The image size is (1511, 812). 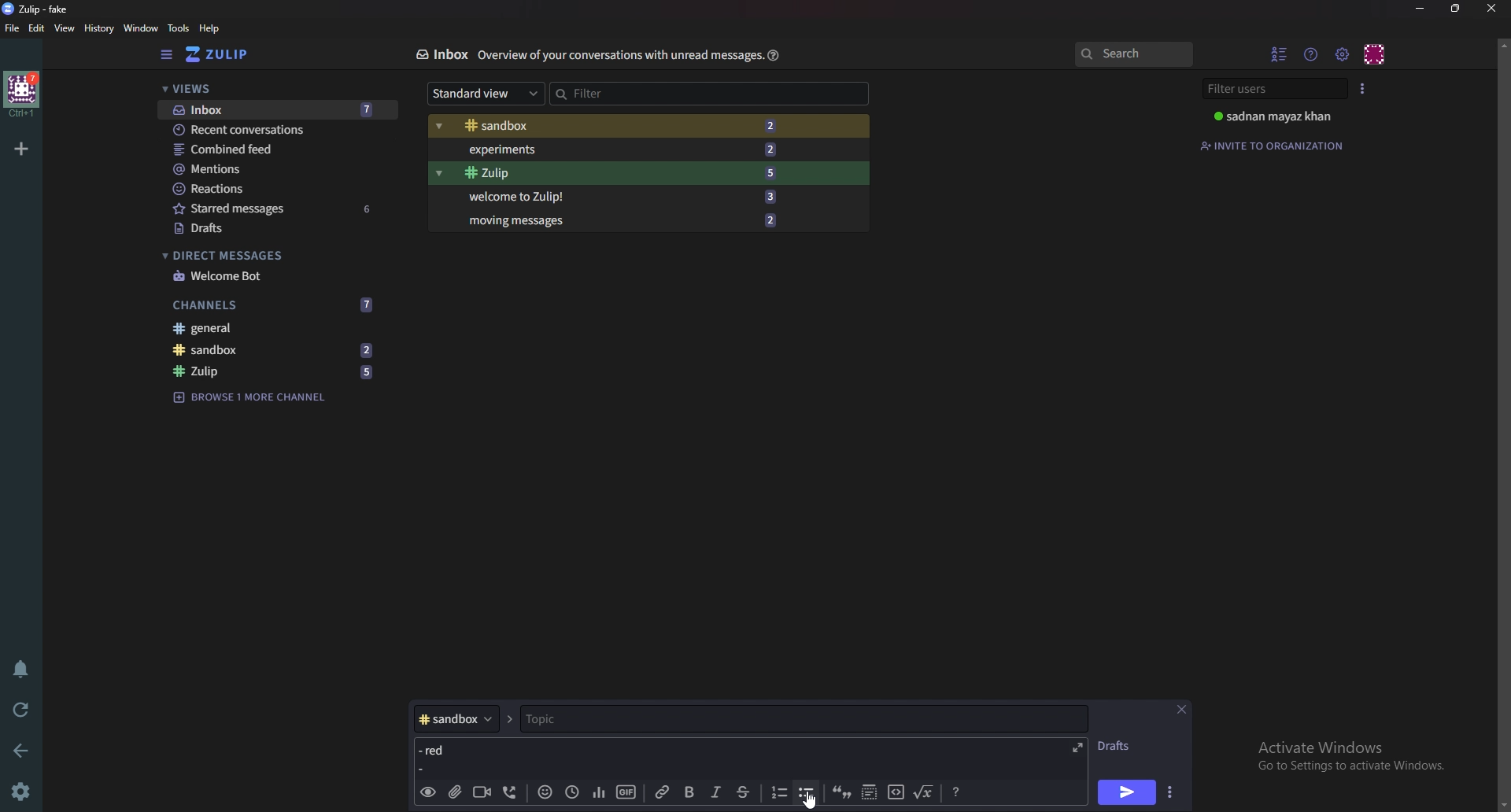 What do you see at coordinates (440, 758) in the screenshot?
I see `Message` at bounding box center [440, 758].